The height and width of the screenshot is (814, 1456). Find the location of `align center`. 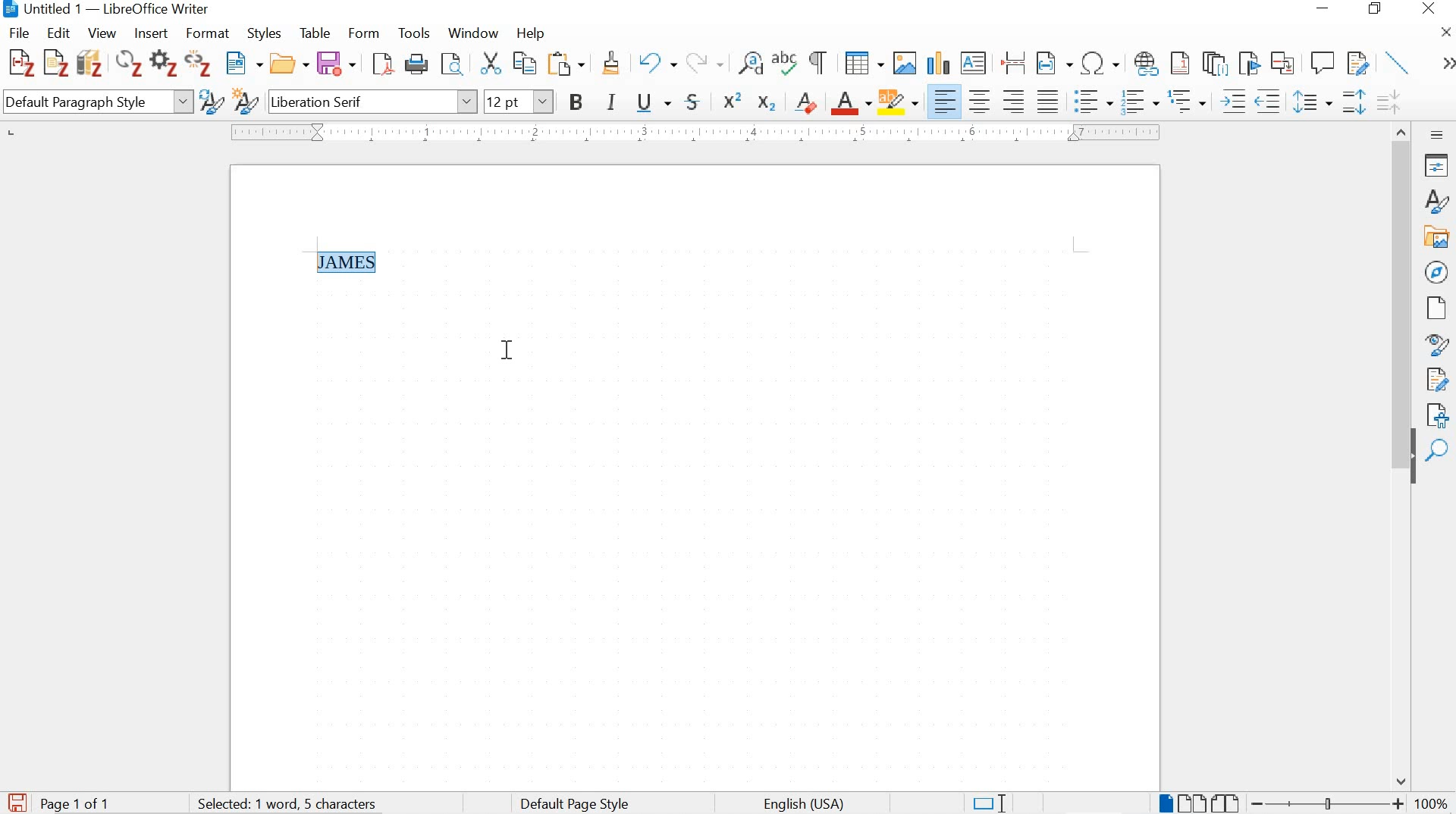

align center is located at coordinates (980, 101).